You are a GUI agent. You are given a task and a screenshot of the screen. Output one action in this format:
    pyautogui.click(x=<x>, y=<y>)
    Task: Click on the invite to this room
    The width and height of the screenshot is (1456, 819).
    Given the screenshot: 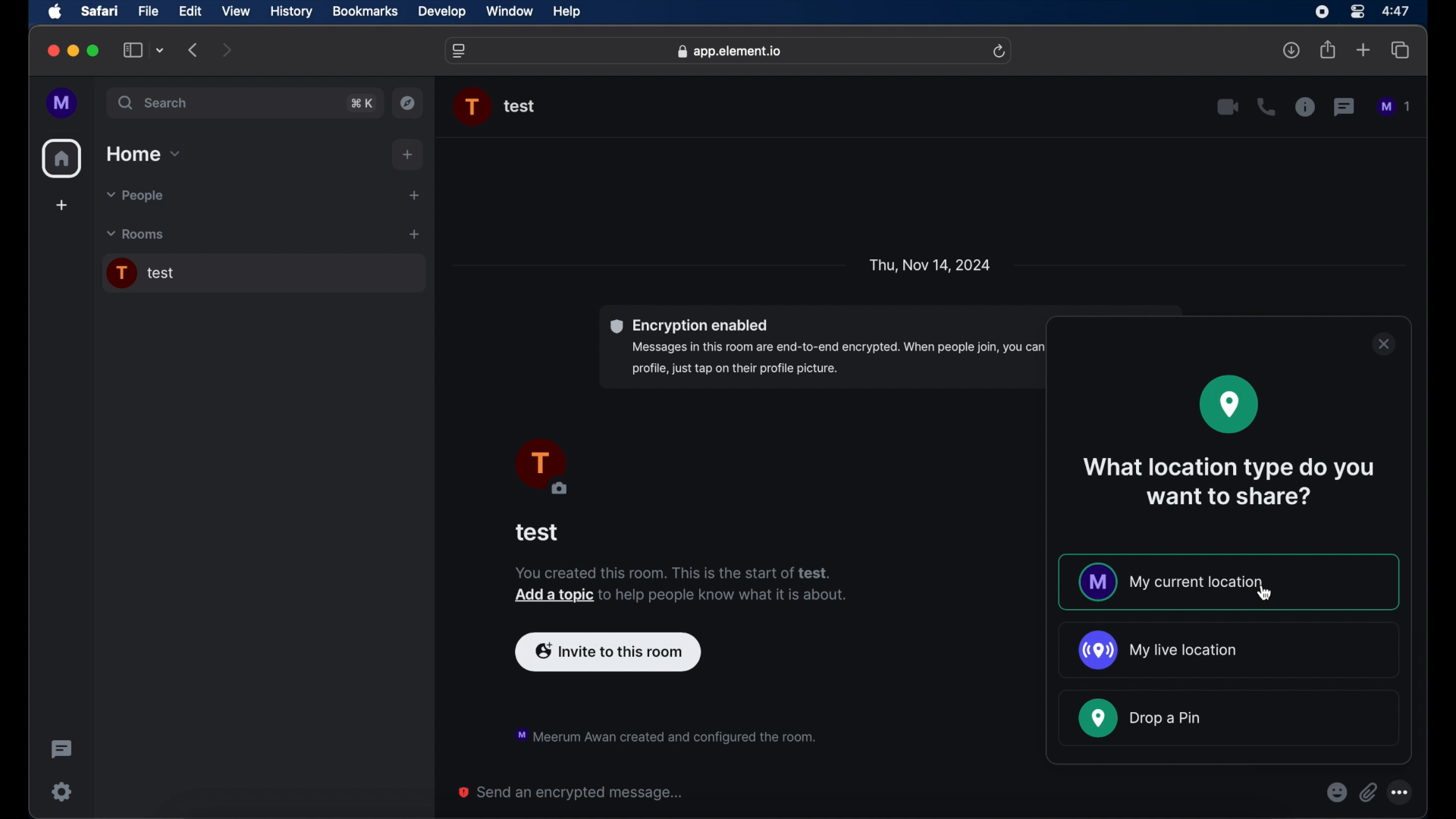 What is the action you would take?
    pyautogui.click(x=608, y=650)
    